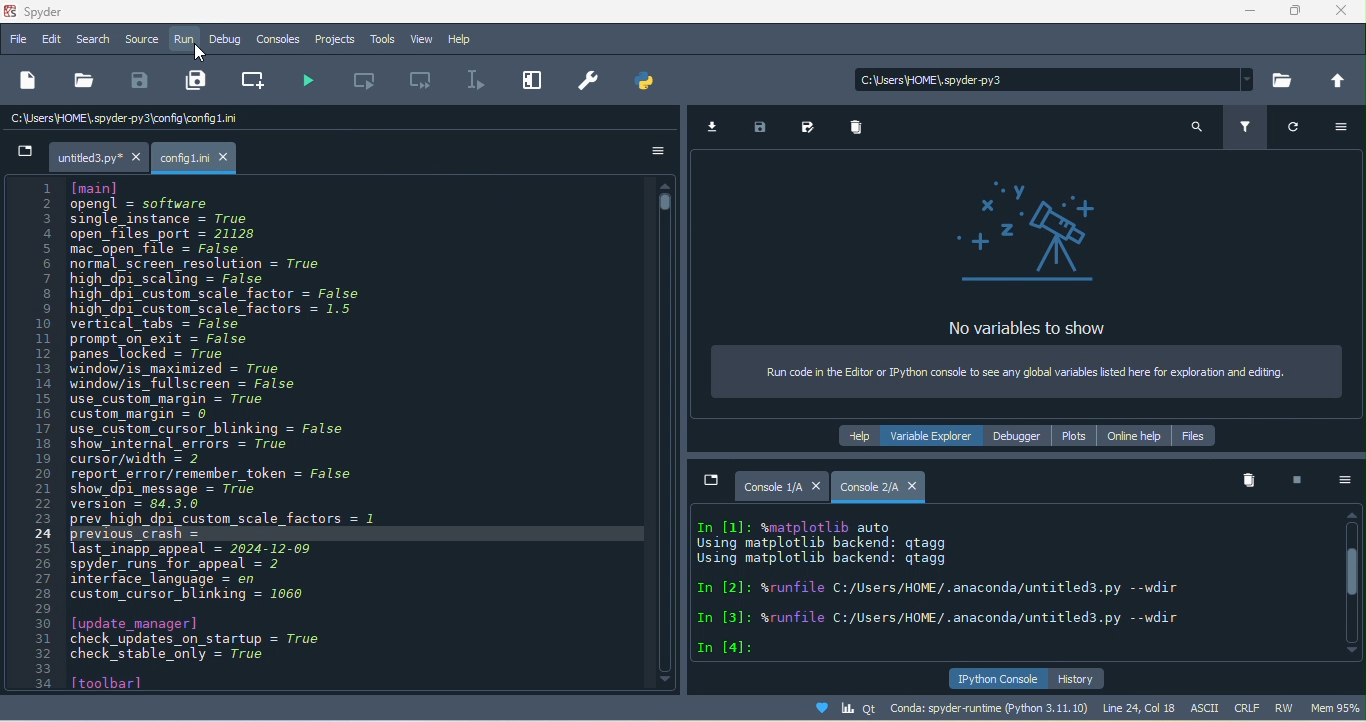 Image resolution: width=1366 pixels, height=722 pixels. What do you see at coordinates (142, 40) in the screenshot?
I see `source` at bounding box center [142, 40].